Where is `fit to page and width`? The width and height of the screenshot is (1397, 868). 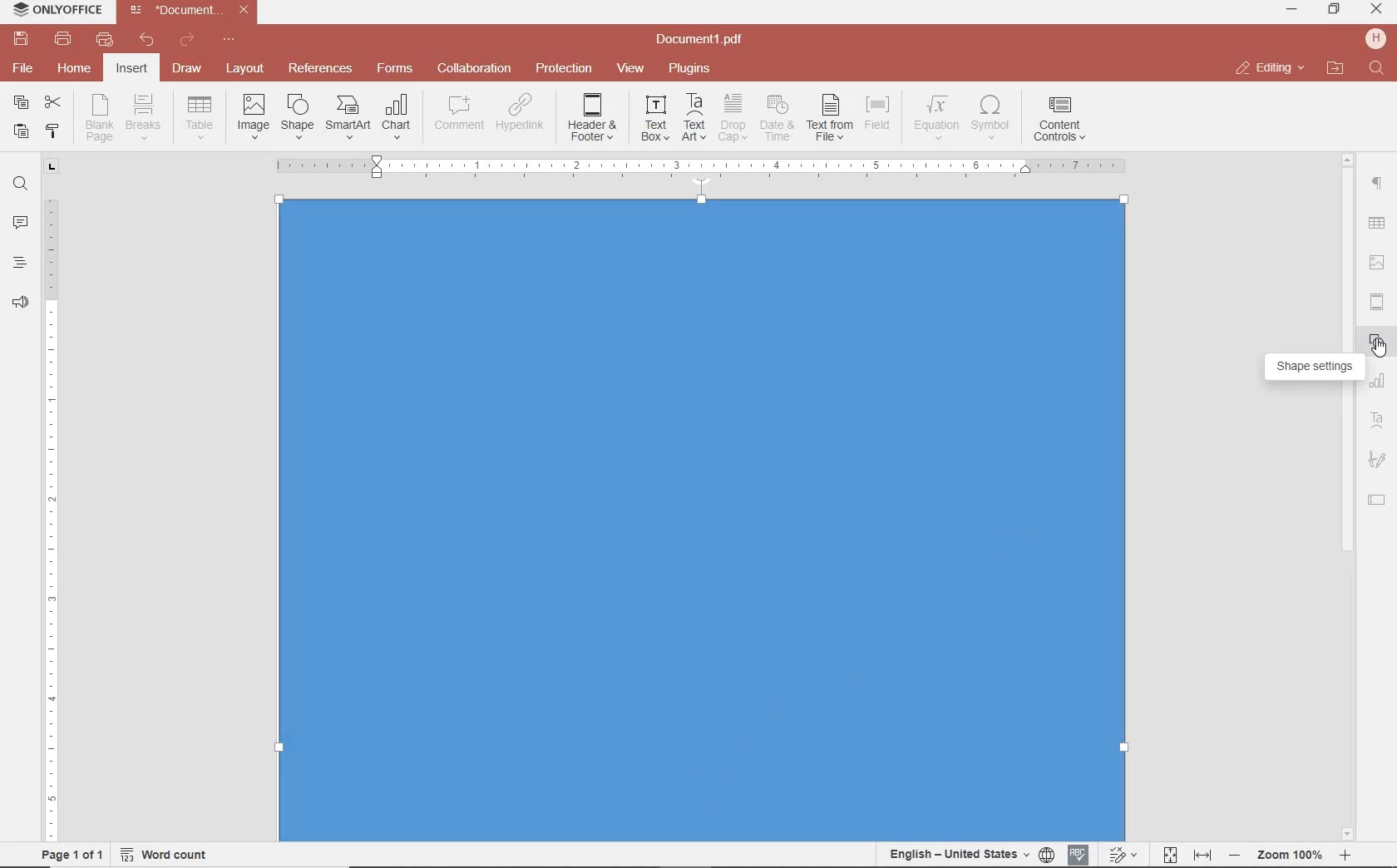
fit to page and width is located at coordinates (1184, 856).